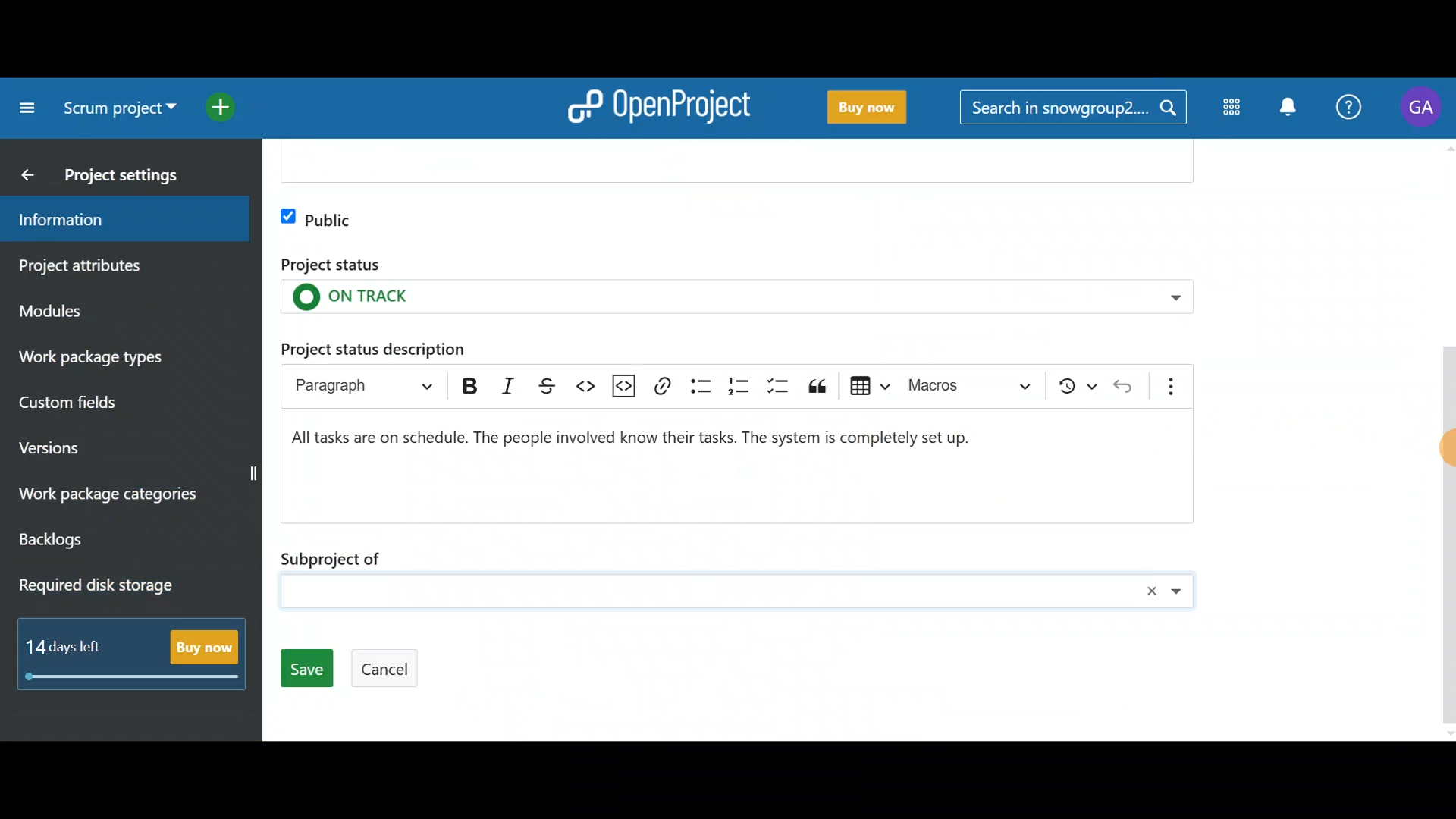 The width and height of the screenshot is (1456, 819). What do you see at coordinates (110, 540) in the screenshot?
I see `Backlogs` at bounding box center [110, 540].